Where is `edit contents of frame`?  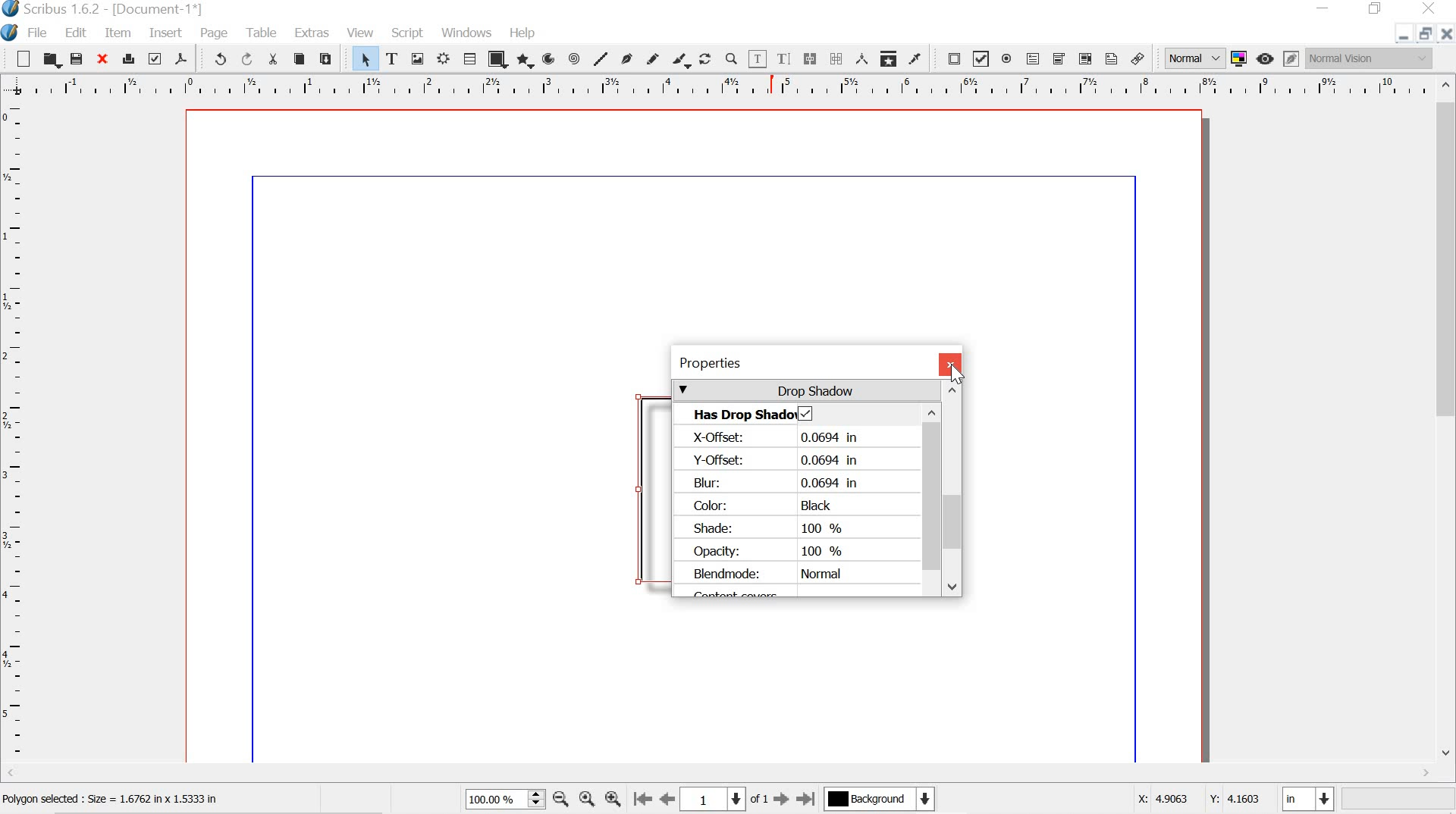 edit contents of frame is located at coordinates (757, 59).